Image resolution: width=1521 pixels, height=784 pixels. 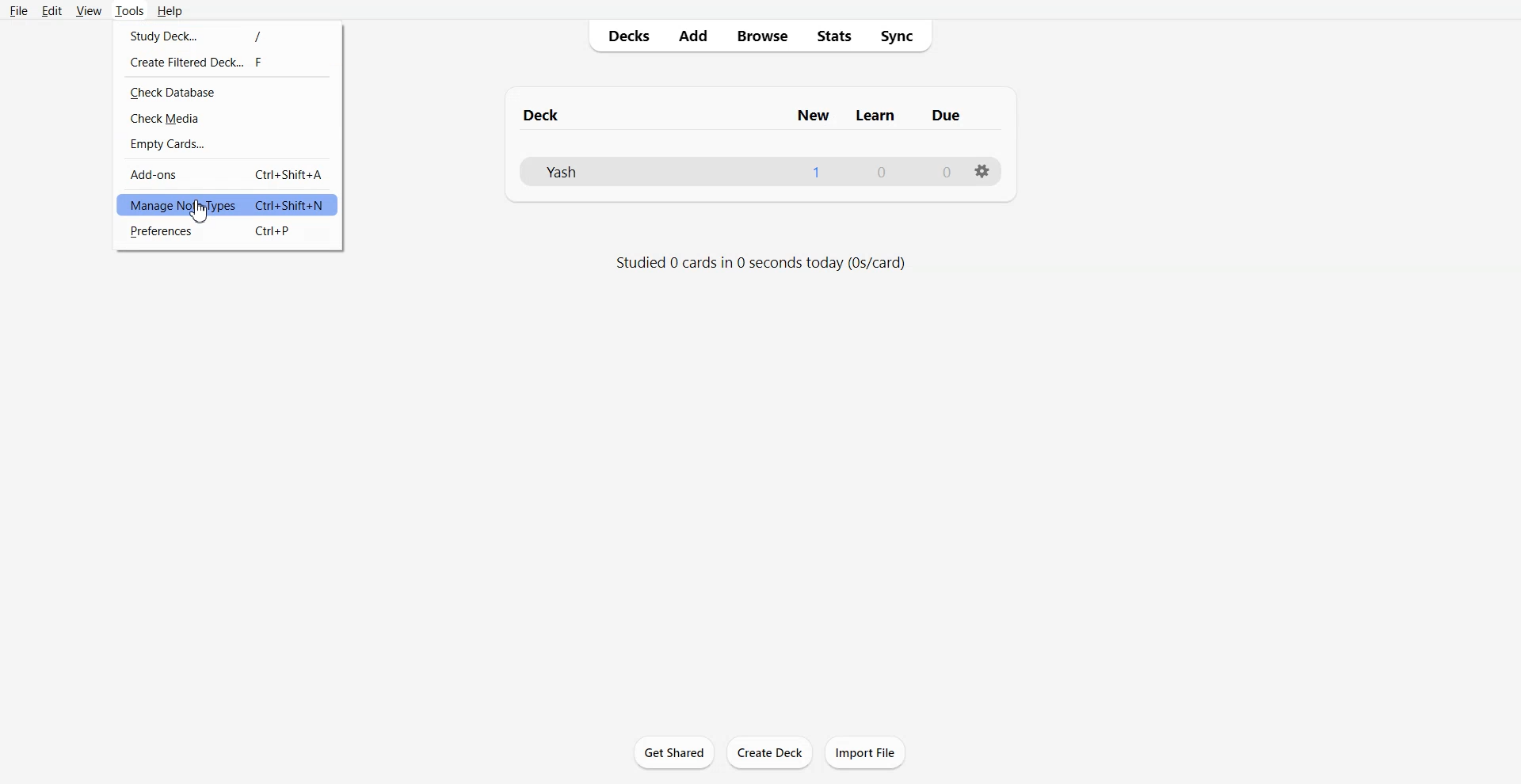 What do you see at coordinates (882, 173) in the screenshot?
I see `Text` at bounding box center [882, 173].